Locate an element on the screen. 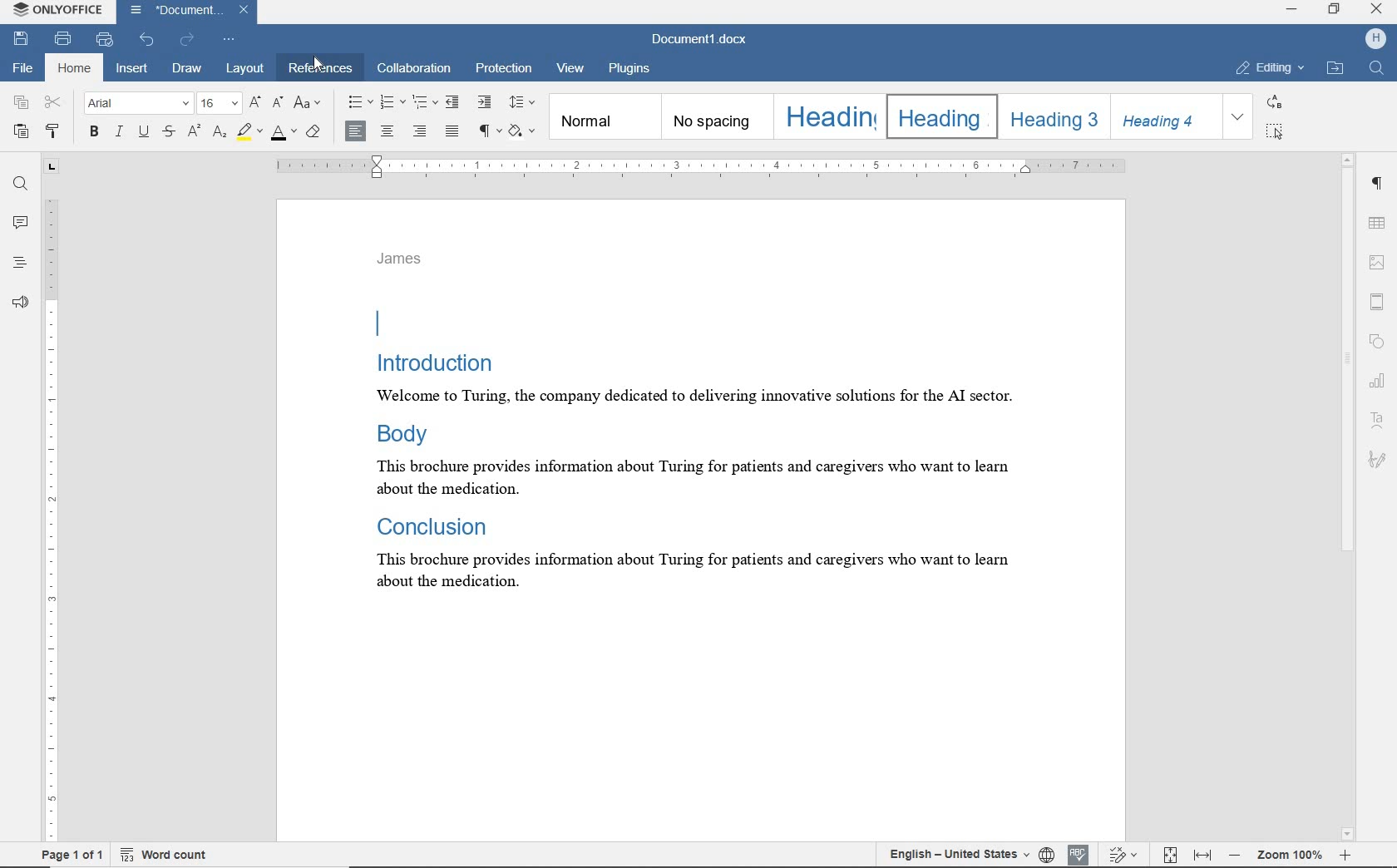 This screenshot has height=868, width=1397. collaboration is located at coordinates (413, 68).